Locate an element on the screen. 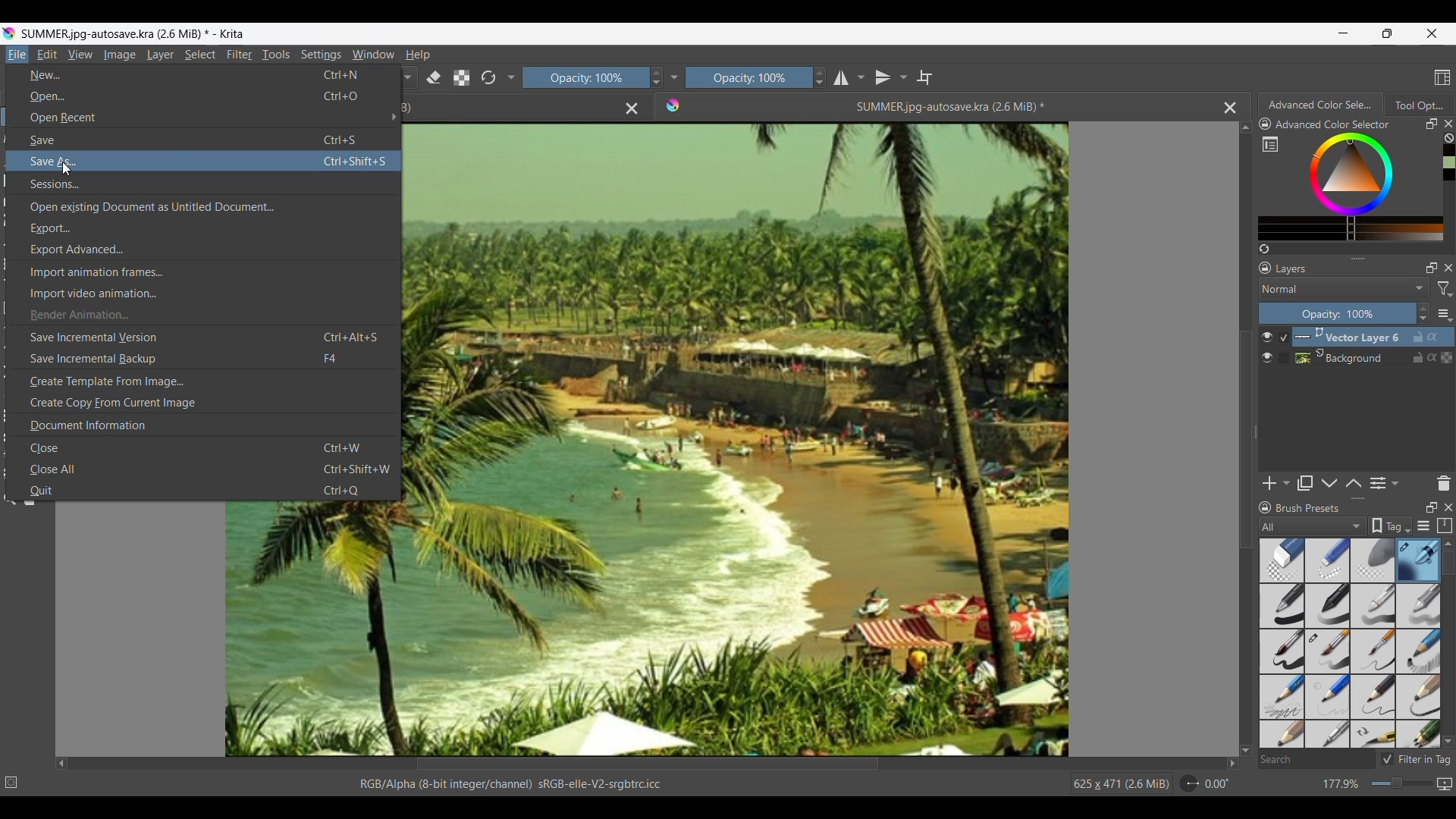 The image size is (1456, 819). Current zoom factor is located at coordinates (1341, 784).